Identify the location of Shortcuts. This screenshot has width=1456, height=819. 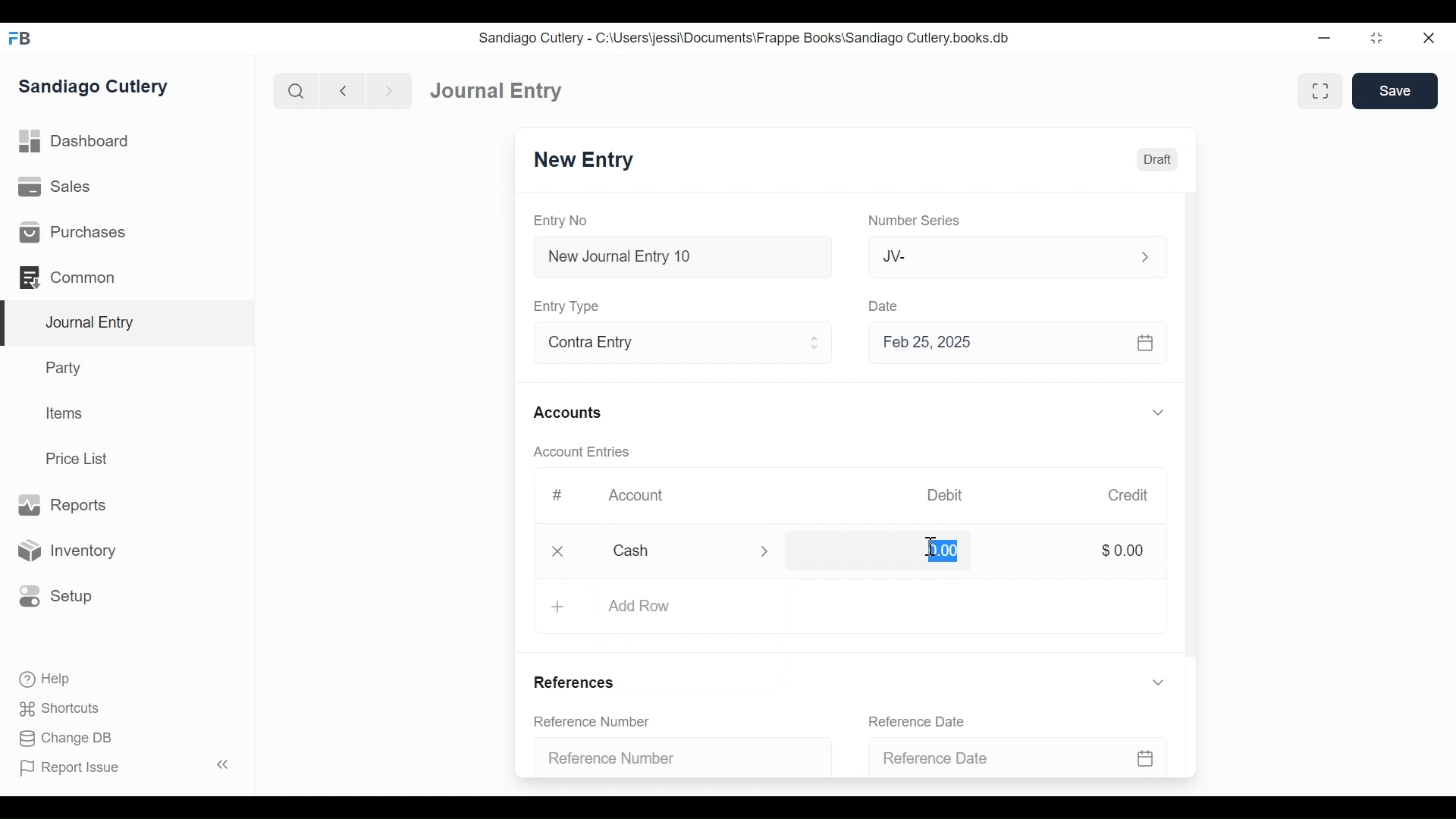
(55, 708).